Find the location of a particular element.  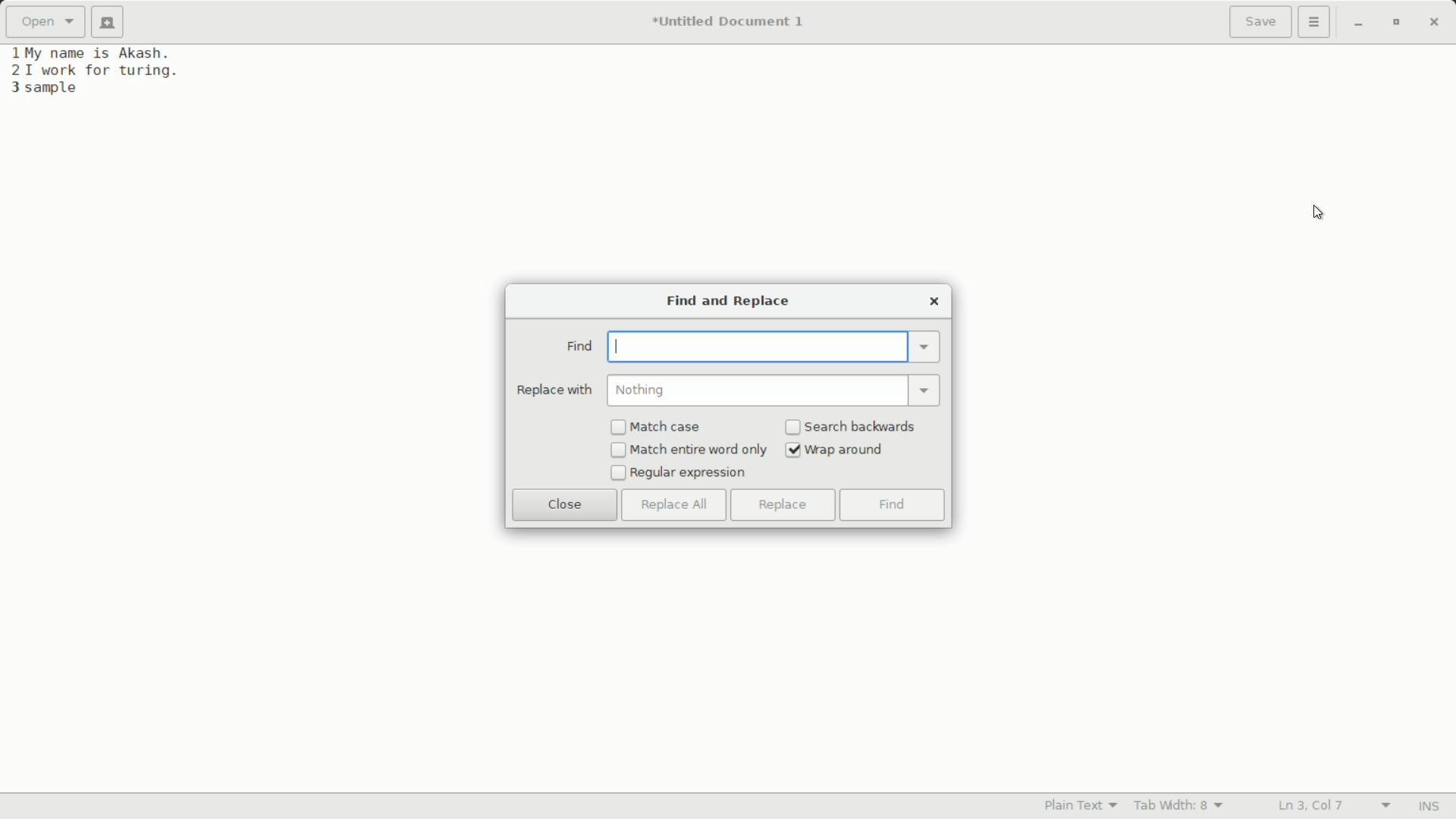

dropdown is located at coordinates (927, 389).